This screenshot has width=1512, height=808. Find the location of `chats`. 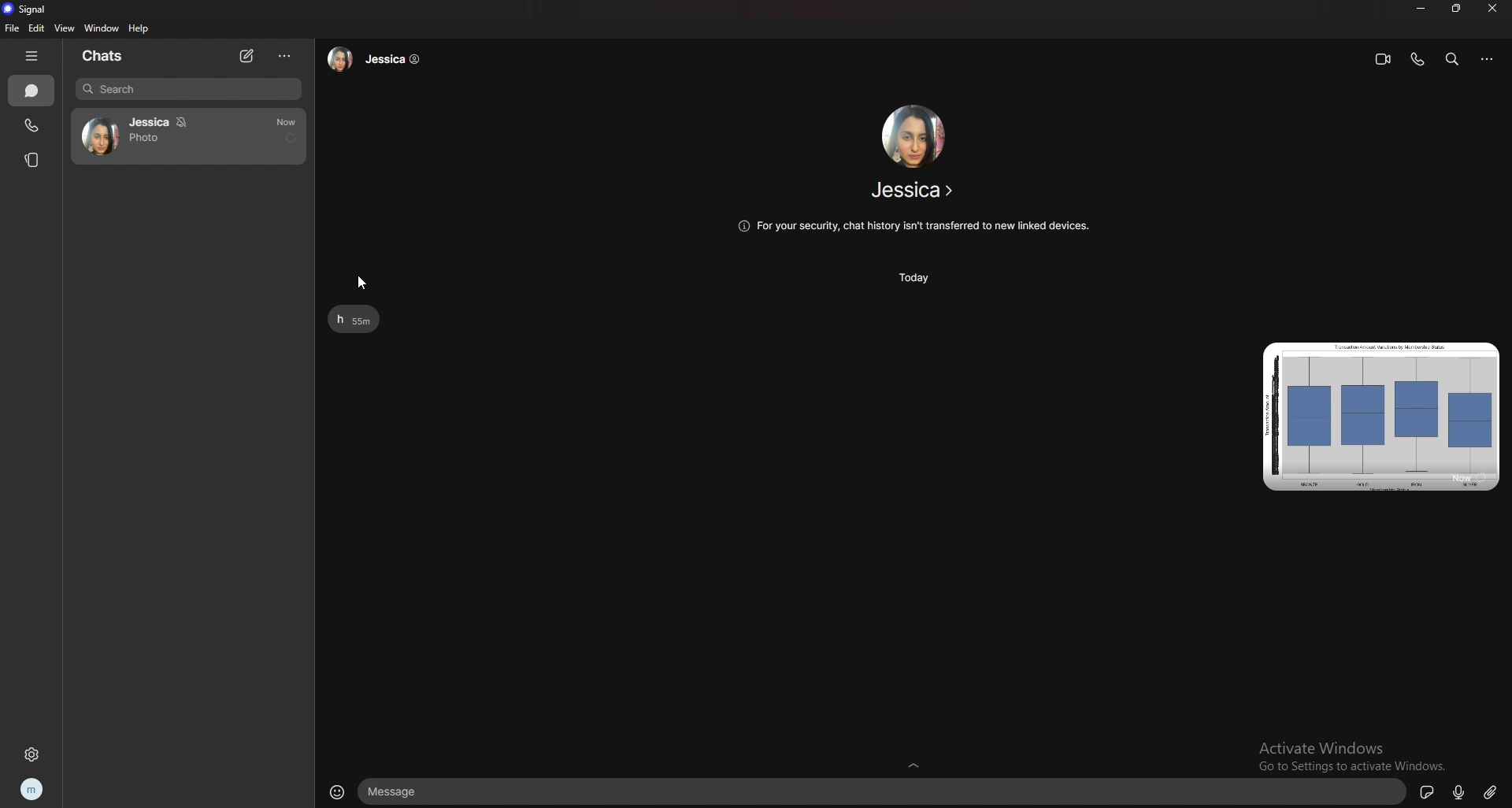

chats is located at coordinates (32, 91).